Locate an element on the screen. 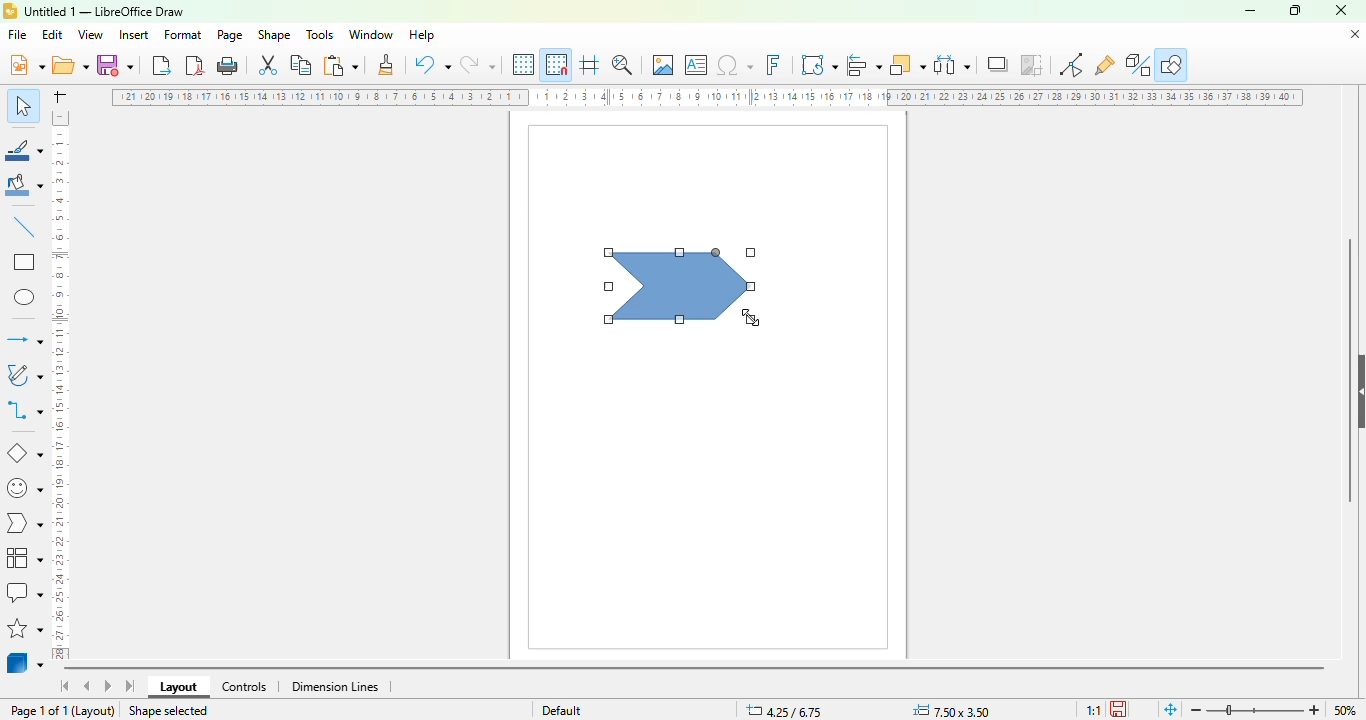  flowchart is located at coordinates (25, 558).